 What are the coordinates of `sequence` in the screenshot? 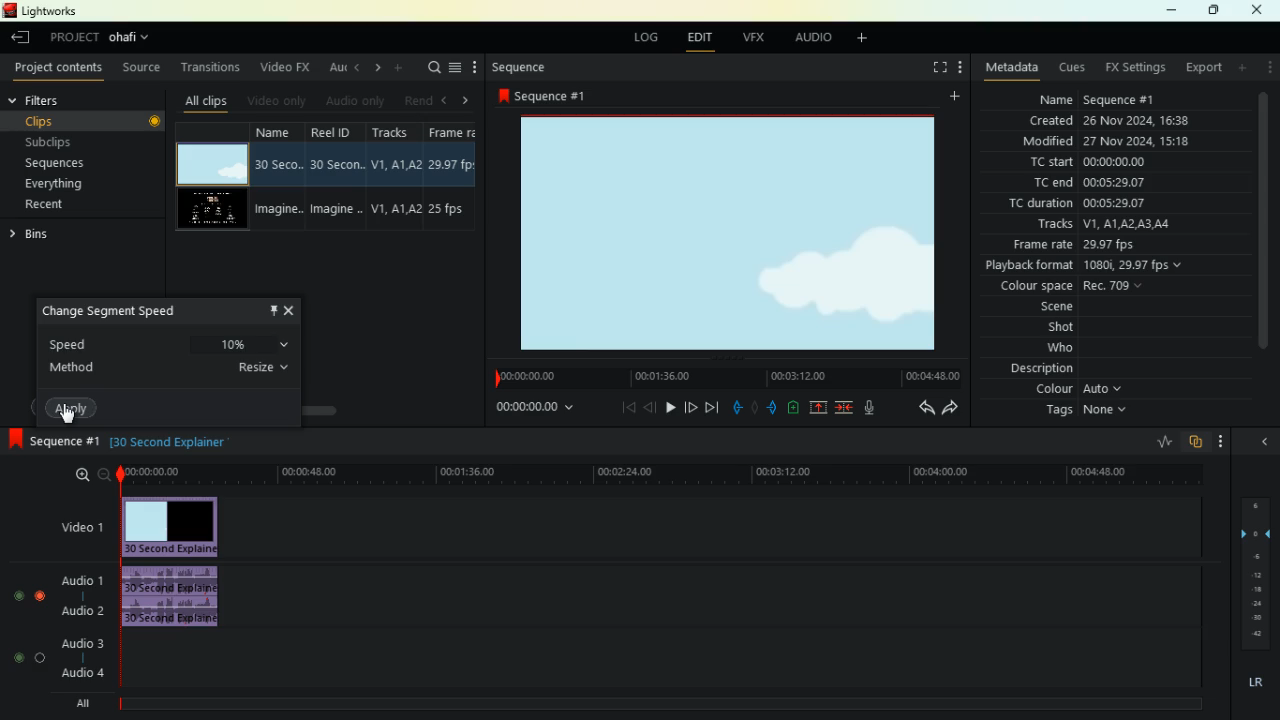 It's located at (533, 68).